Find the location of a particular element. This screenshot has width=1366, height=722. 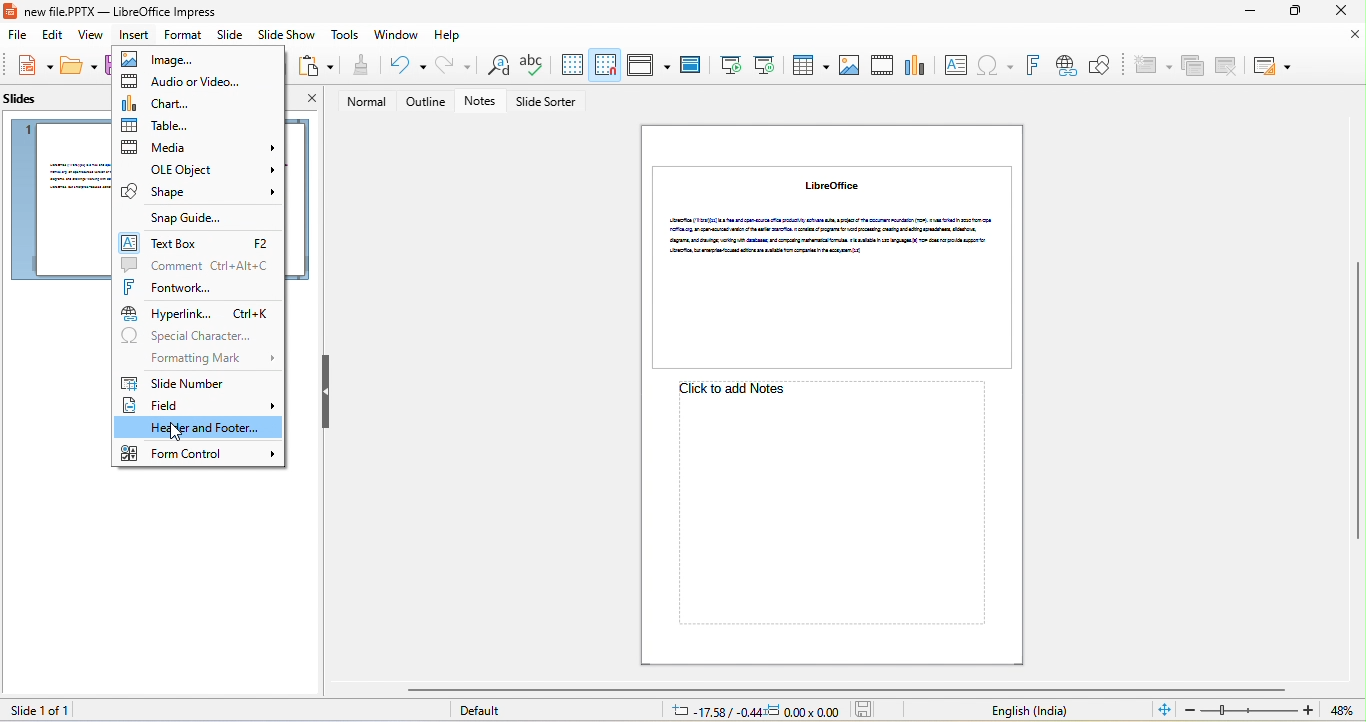

slide is located at coordinates (832, 267).